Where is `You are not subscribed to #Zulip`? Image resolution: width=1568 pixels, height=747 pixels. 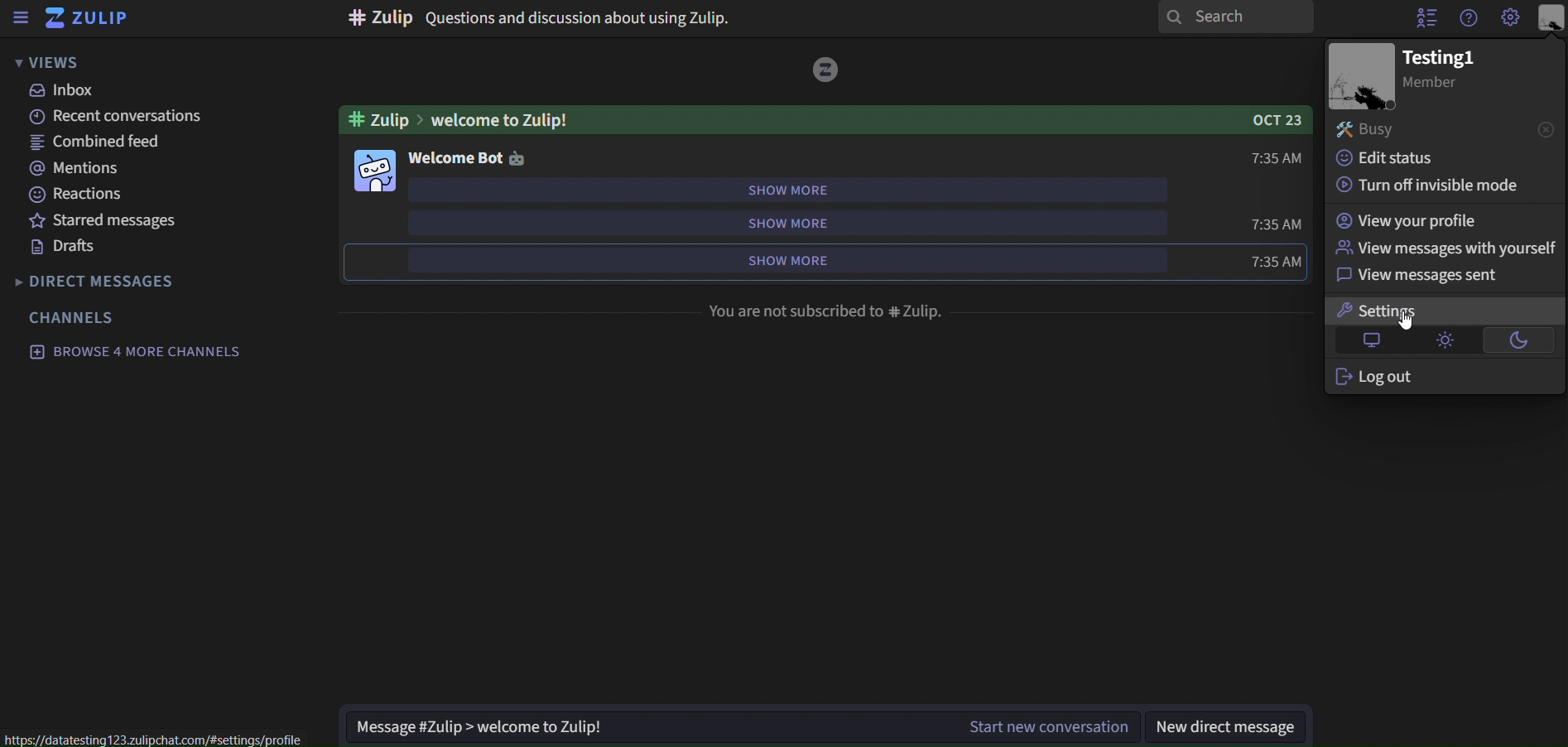
You are not subscribed to #Zulip is located at coordinates (833, 309).